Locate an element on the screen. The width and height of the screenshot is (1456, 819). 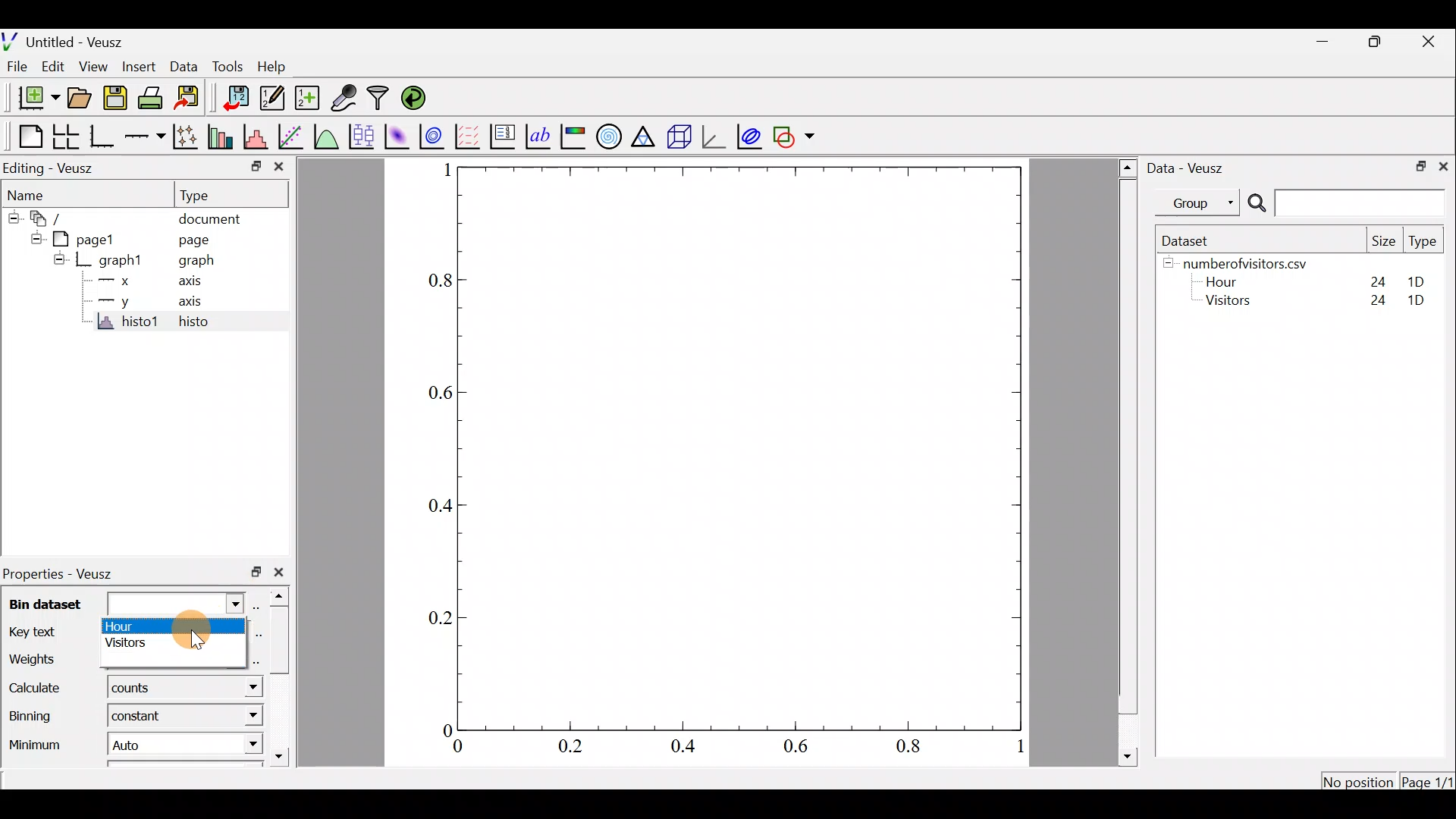
document widget is located at coordinates (49, 218).